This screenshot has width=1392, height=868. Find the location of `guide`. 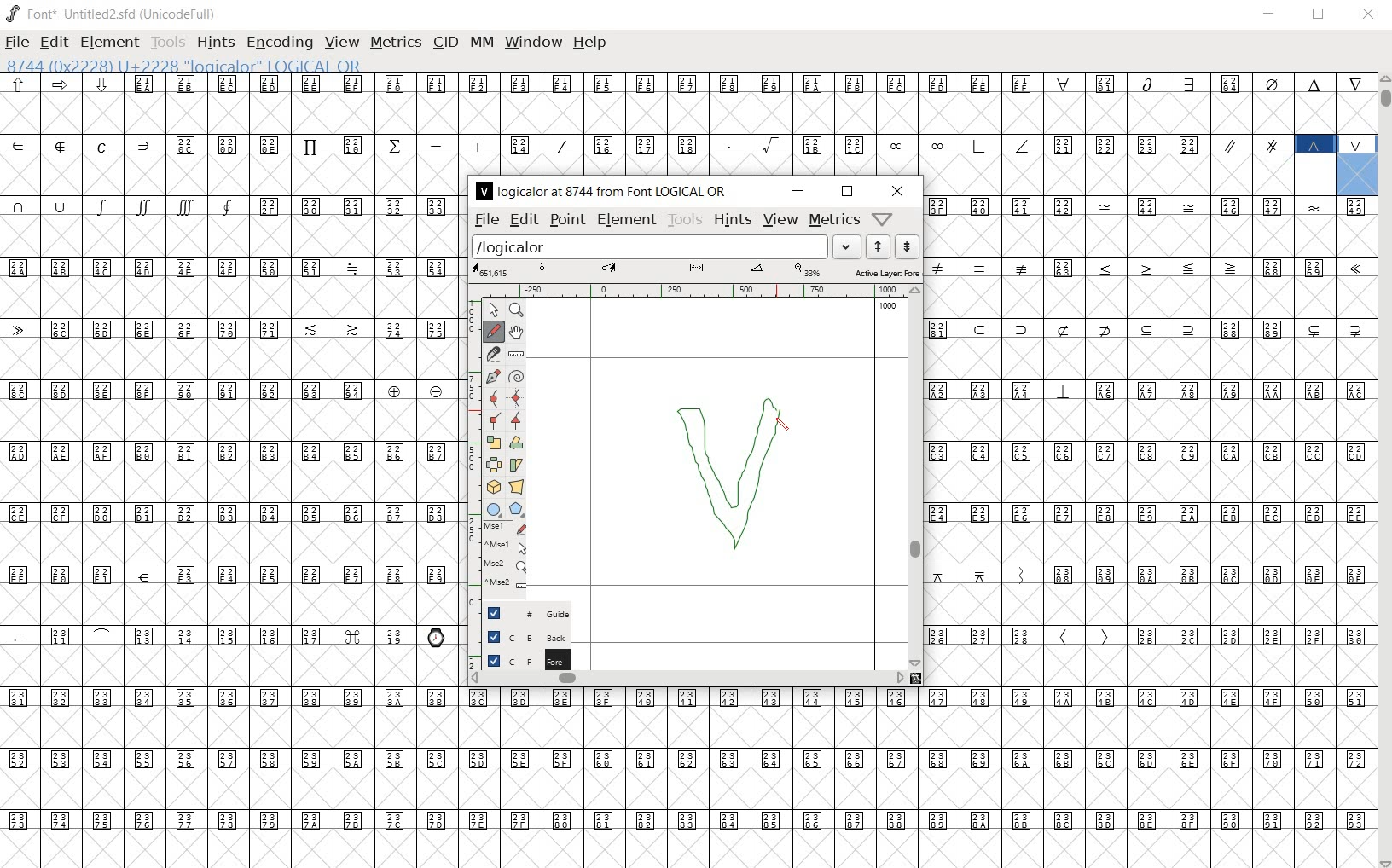

guide is located at coordinates (519, 615).